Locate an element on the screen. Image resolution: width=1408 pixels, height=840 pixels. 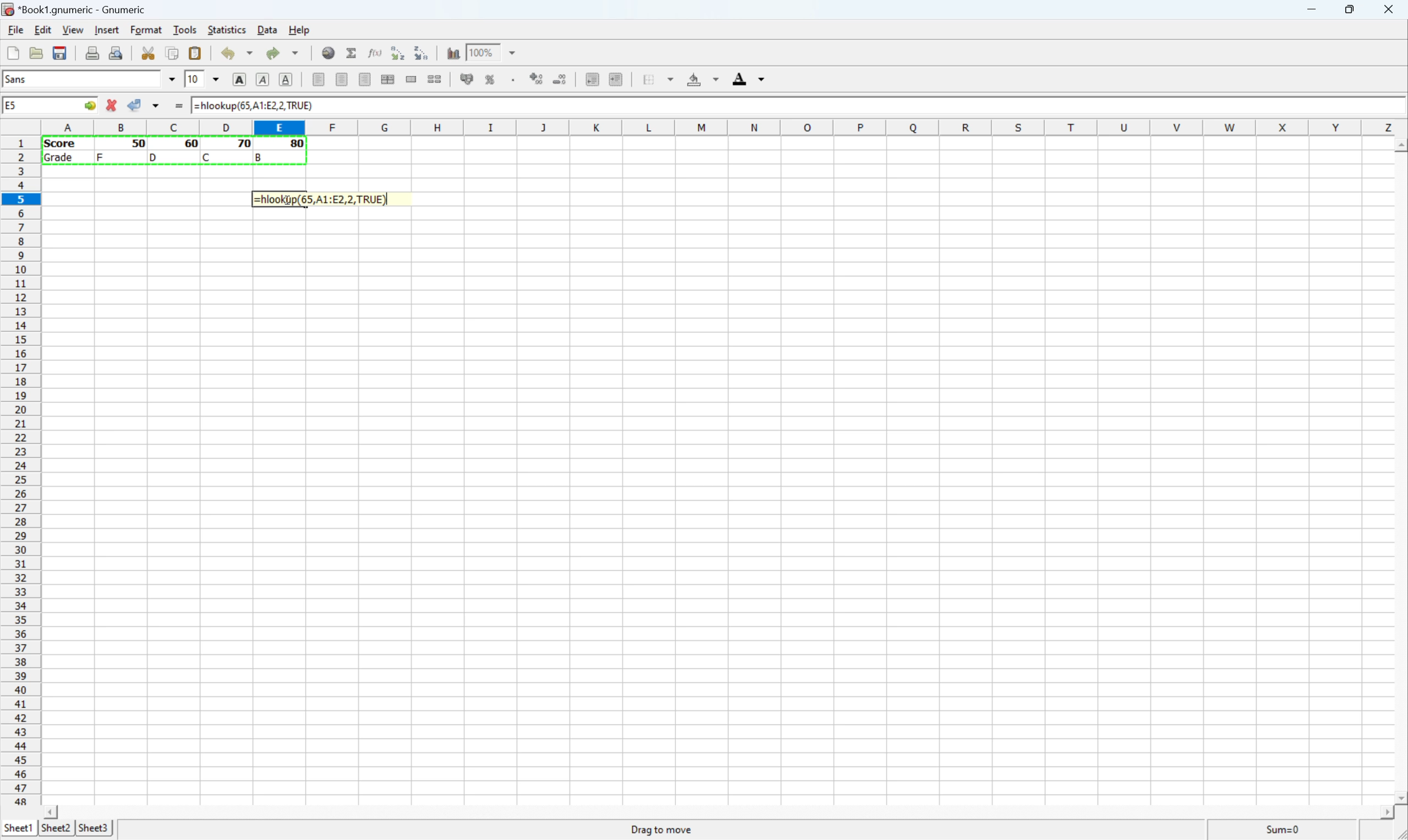
100% is located at coordinates (483, 52).